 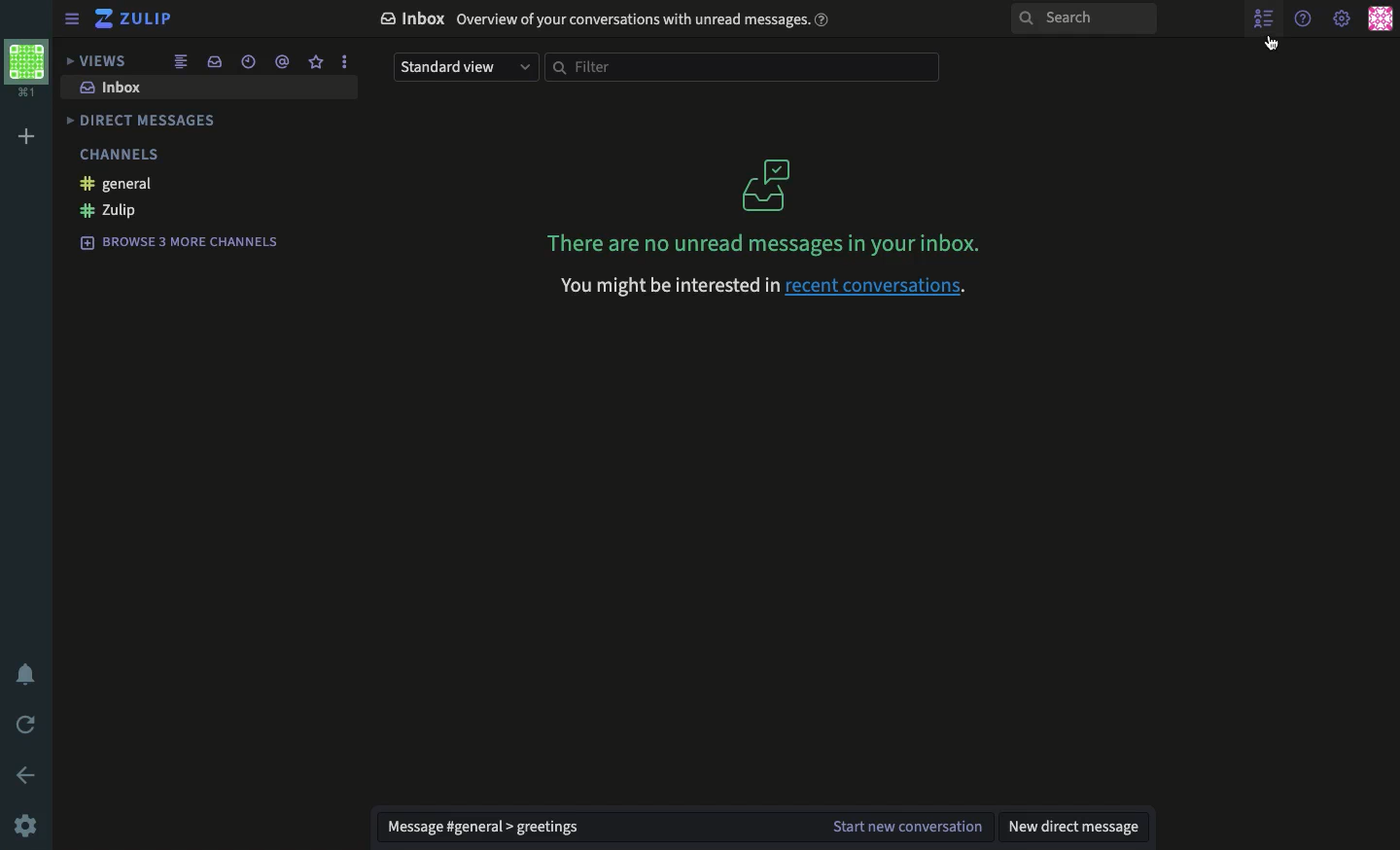 What do you see at coordinates (483, 827) in the screenshot?
I see `message general greetings` at bounding box center [483, 827].